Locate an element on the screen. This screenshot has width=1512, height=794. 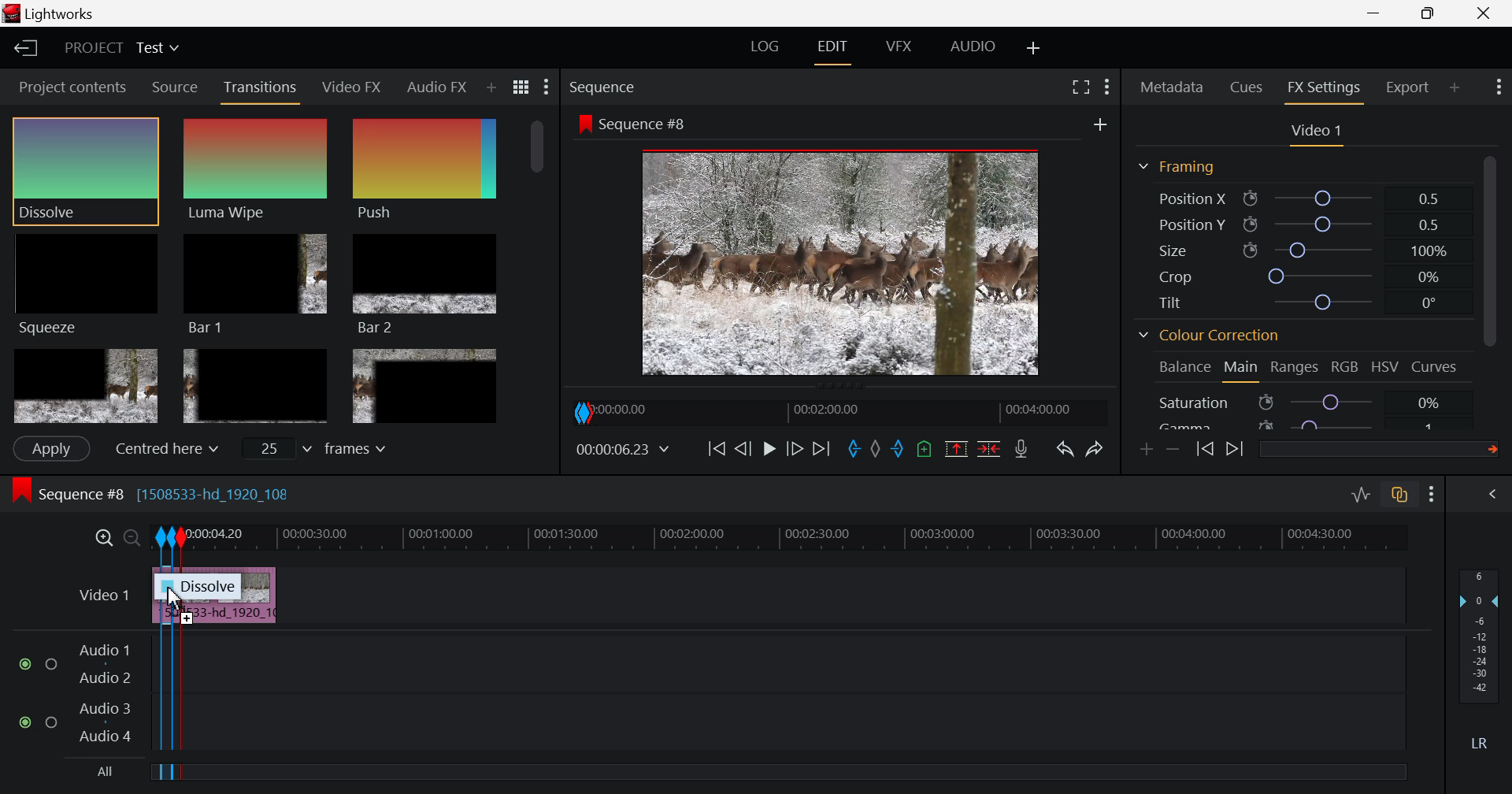
Audio Level is located at coordinates (1484, 661).